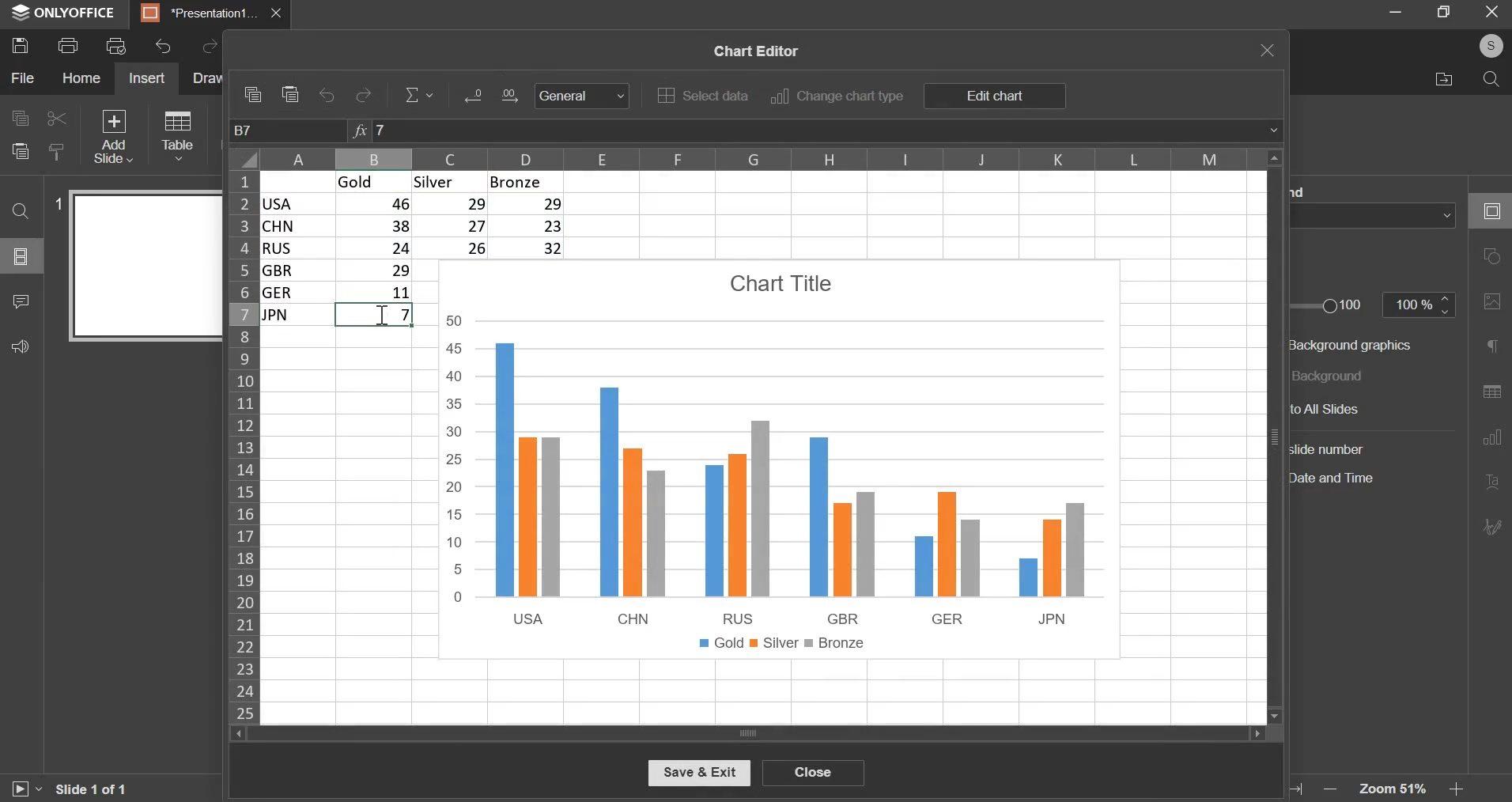 The width and height of the screenshot is (1512, 802). I want to click on copy, so click(251, 94).